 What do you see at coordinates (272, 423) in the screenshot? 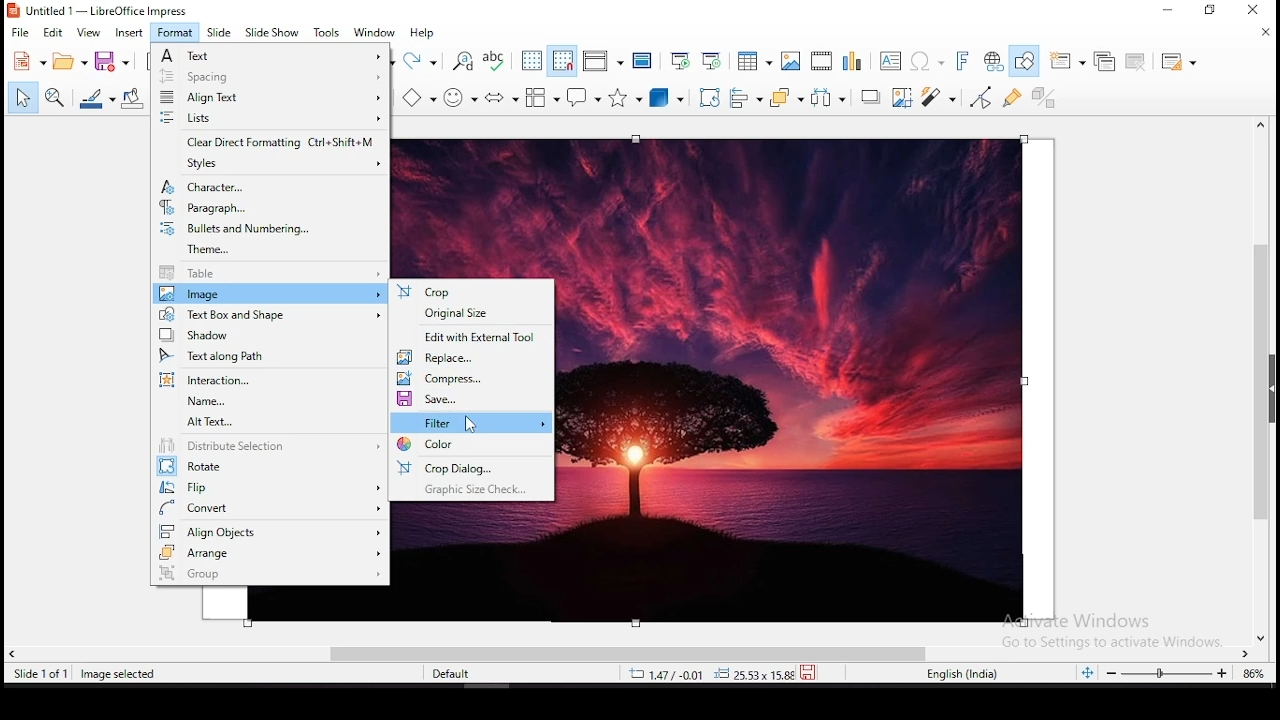
I see `alt text` at bounding box center [272, 423].